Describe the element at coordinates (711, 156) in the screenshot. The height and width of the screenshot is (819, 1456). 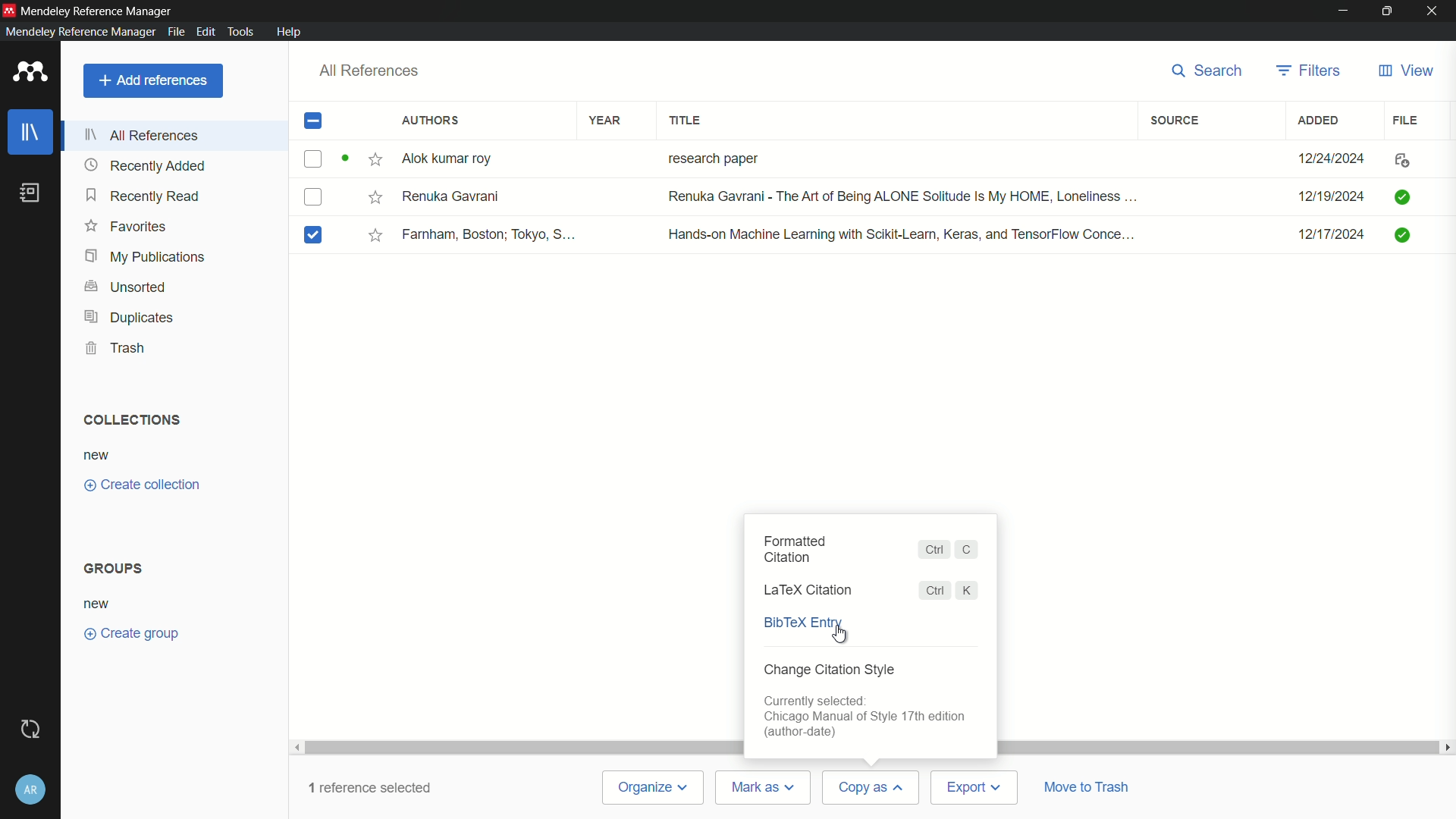
I see `research paper` at that location.